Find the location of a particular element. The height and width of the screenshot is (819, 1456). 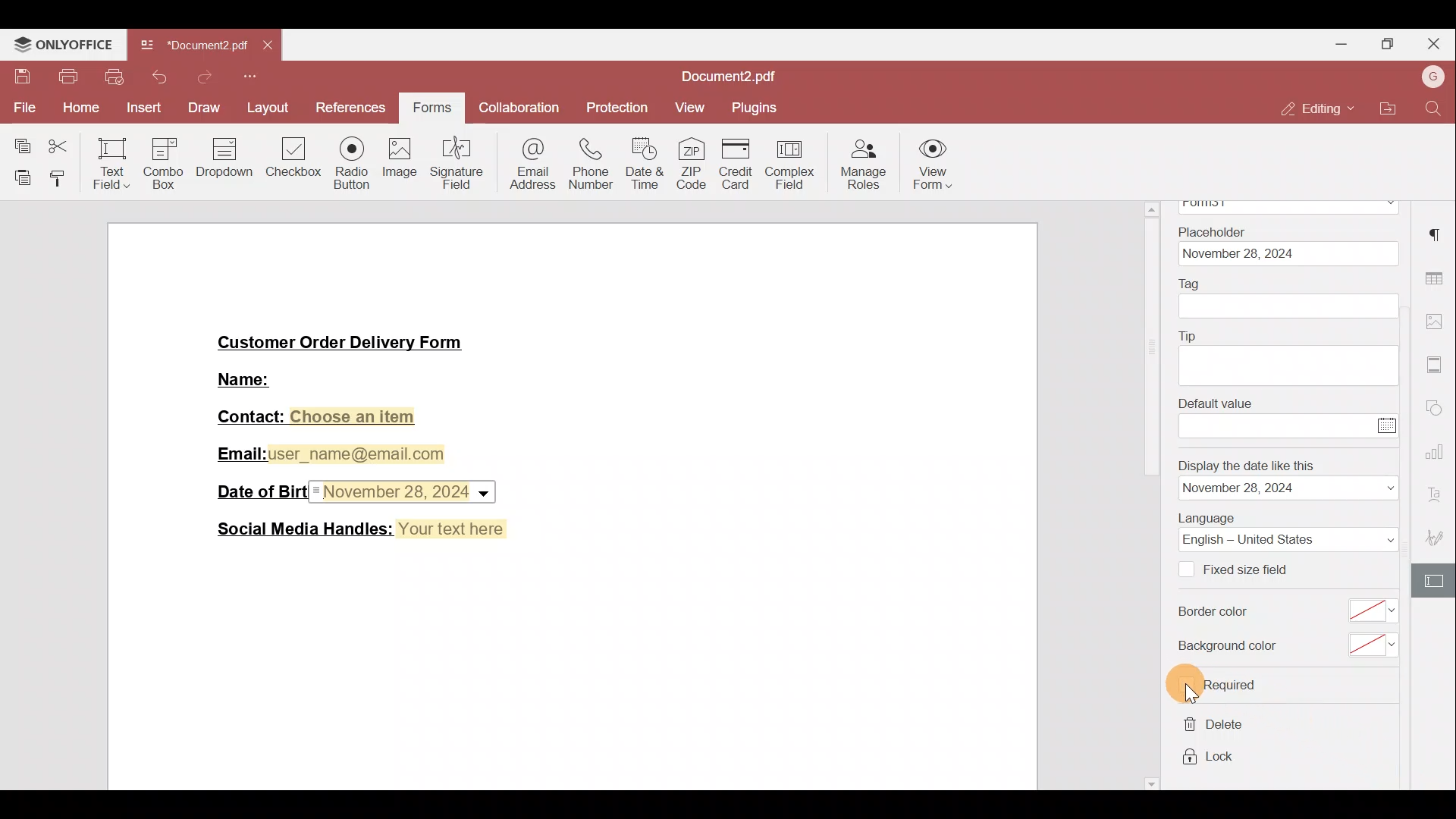

Home is located at coordinates (77, 109).